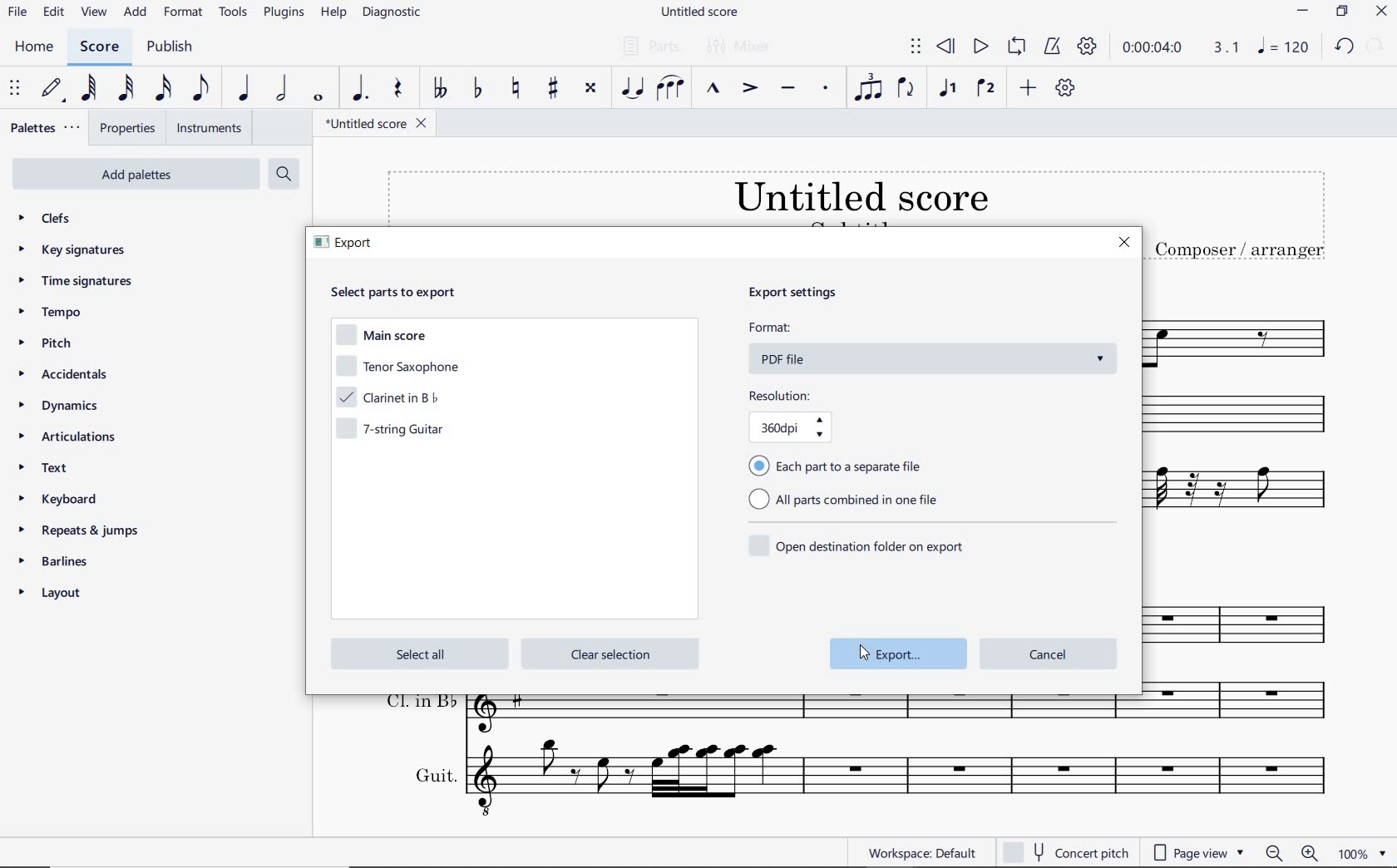  I want to click on REDO, so click(1376, 45).